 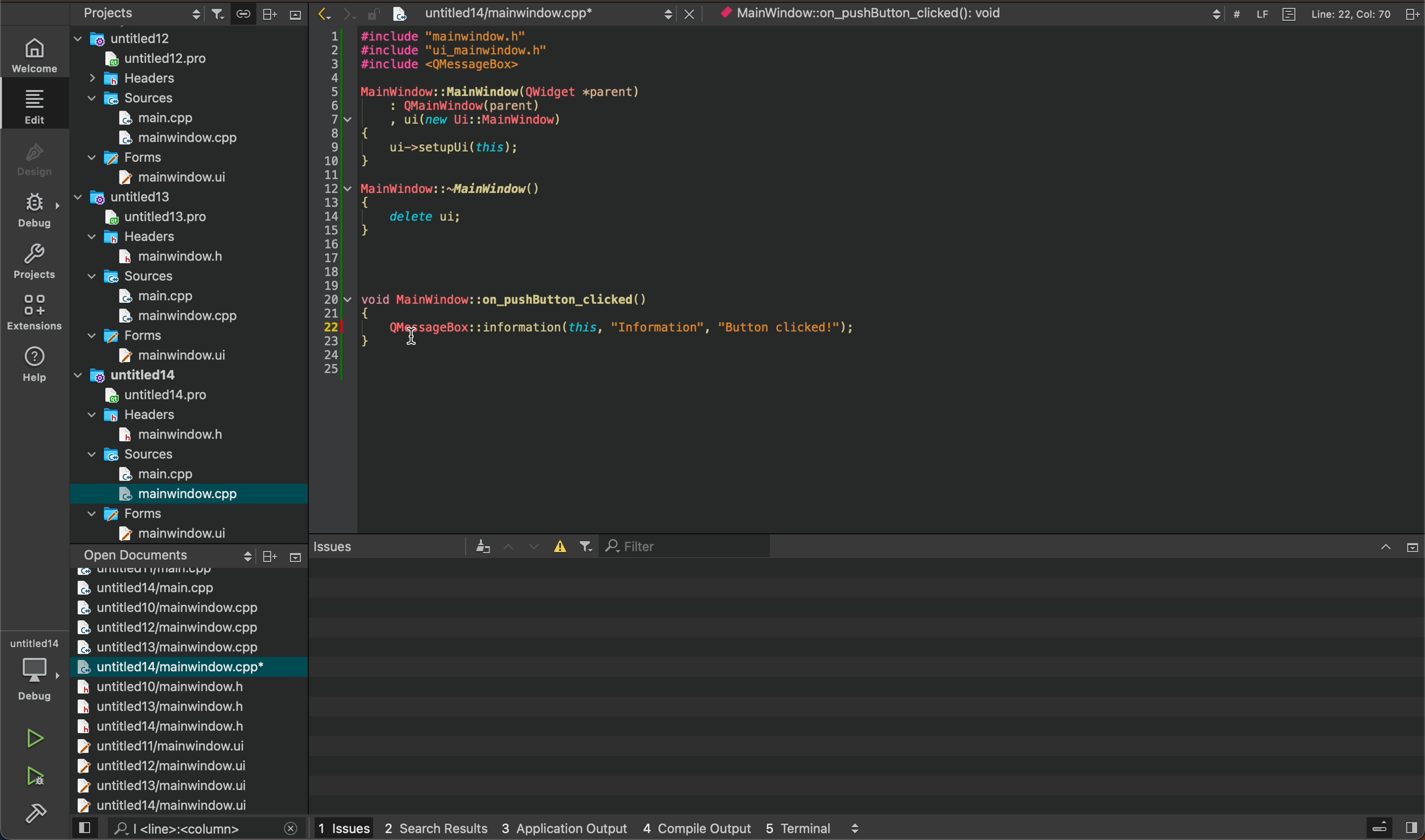 What do you see at coordinates (36, 58) in the screenshot?
I see `WELCOME` at bounding box center [36, 58].